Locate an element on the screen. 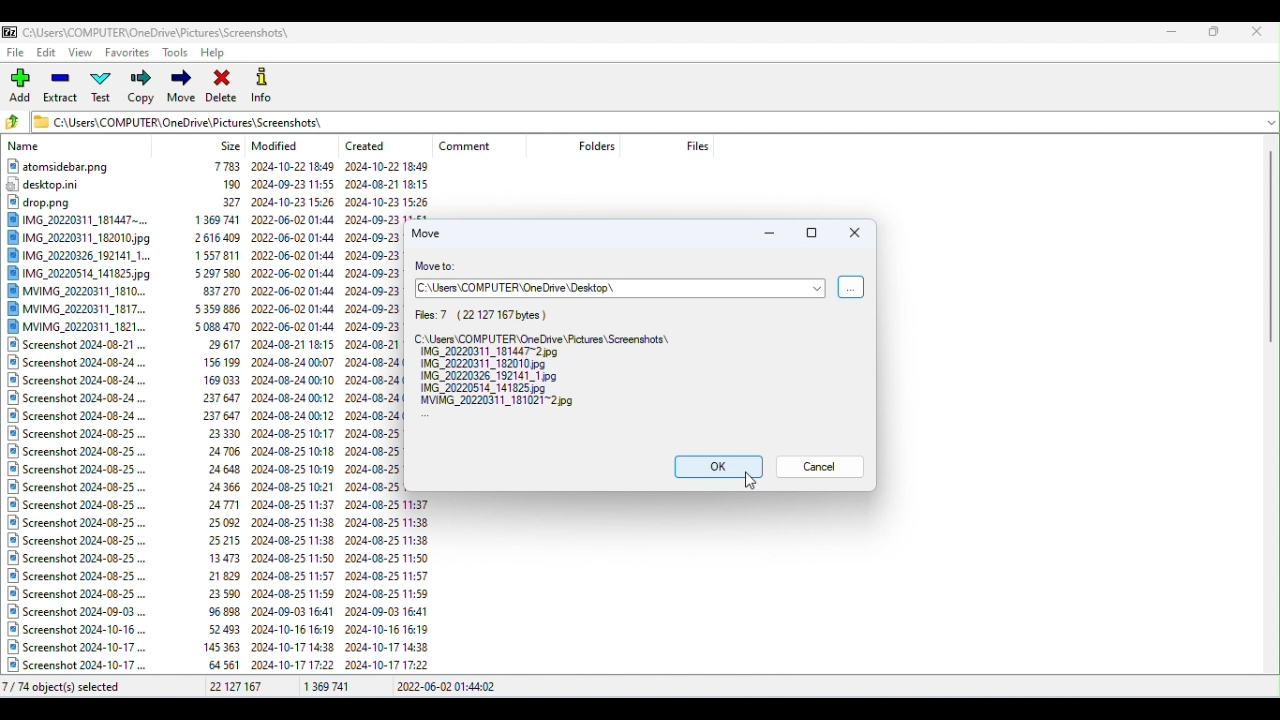 The width and height of the screenshot is (1280, 720). File is located at coordinates (17, 52).